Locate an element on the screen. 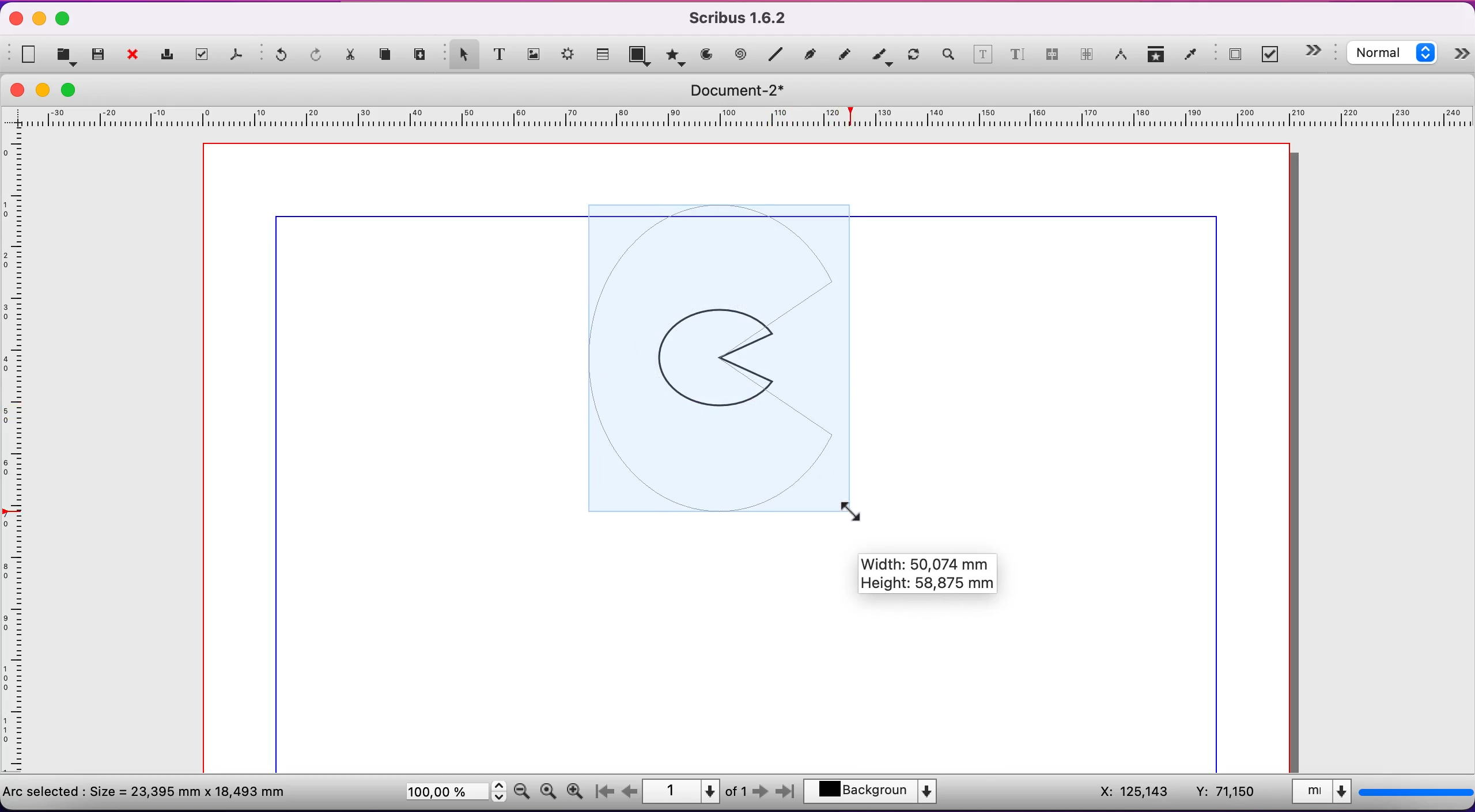 The width and height of the screenshot is (1475, 812). copy item properties is located at coordinates (1157, 56).